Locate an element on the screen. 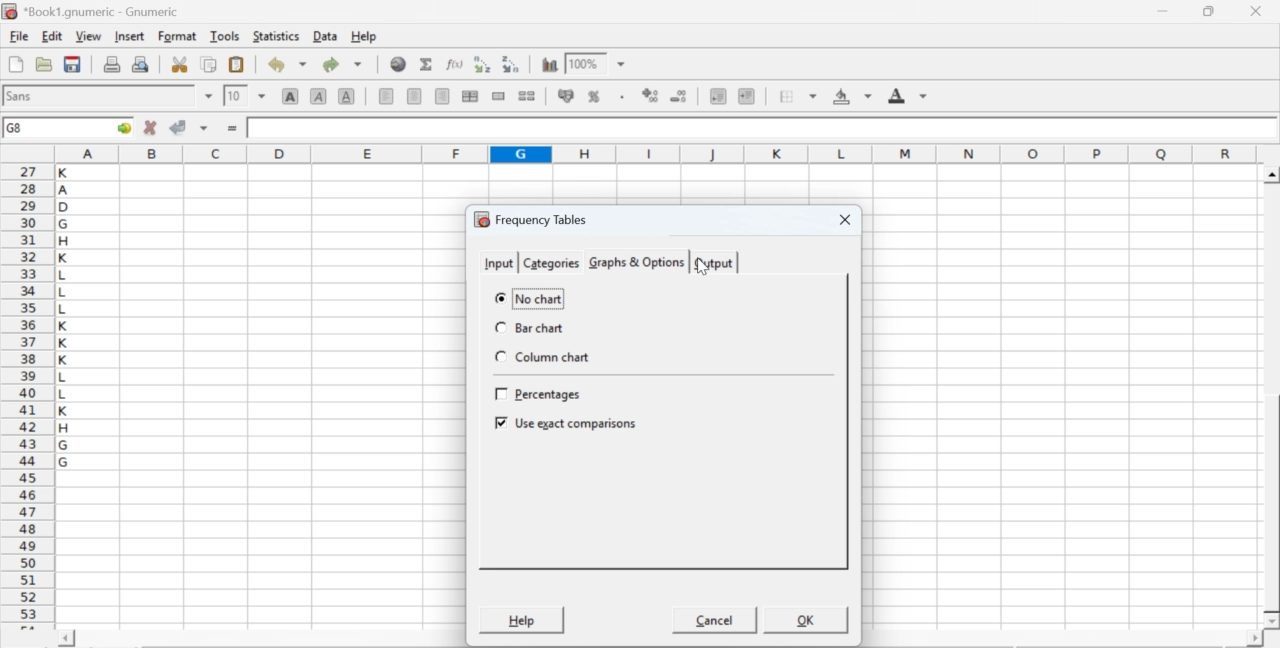 This screenshot has width=1280, height=648. 10 is located at coordinates (235, 96).